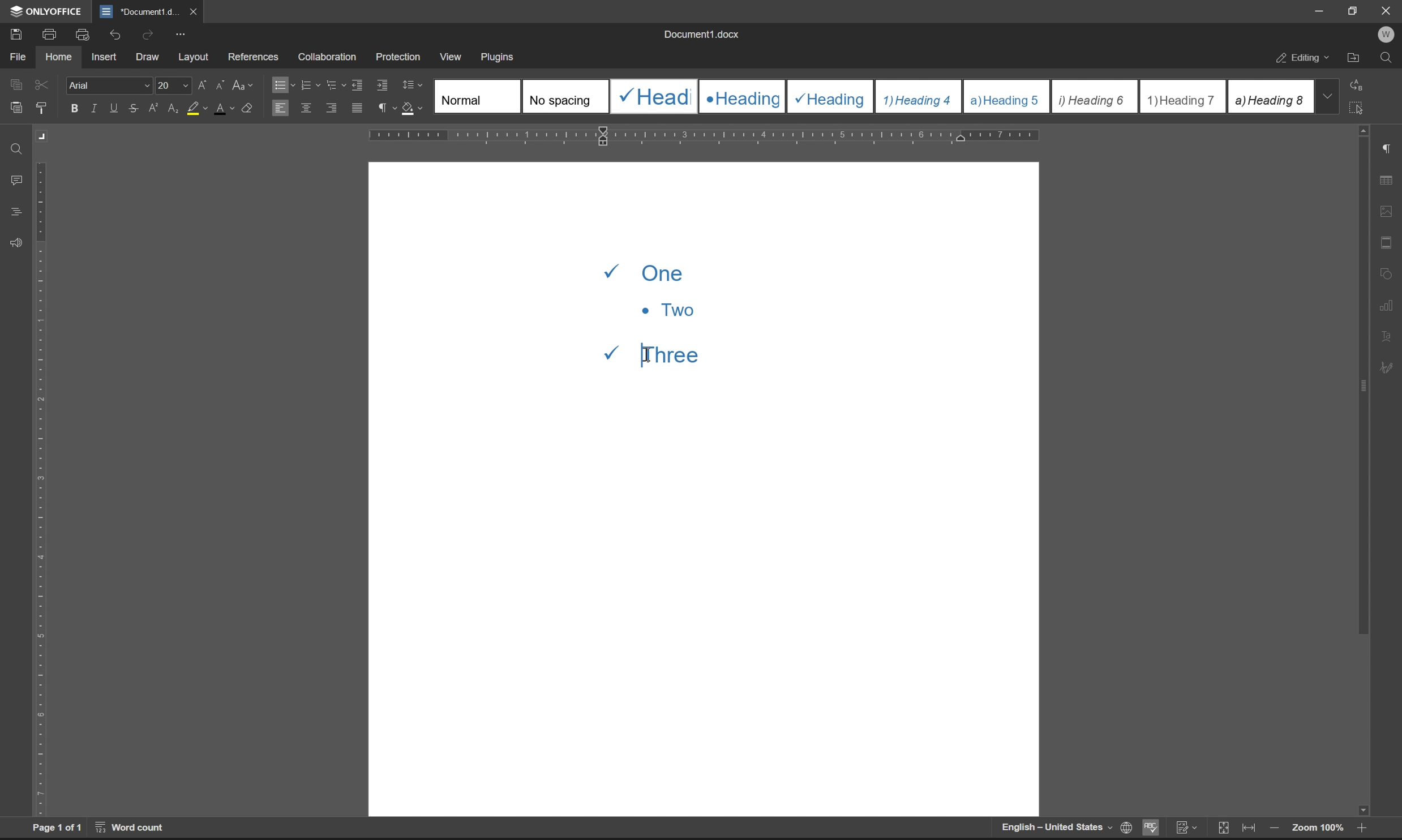 Image resolution: width=1402 pixels, height=840 pixels. What do you see at coordinates (1359, 107) in the screenshot?
I see `select all` at bounding box center [1359, 107].